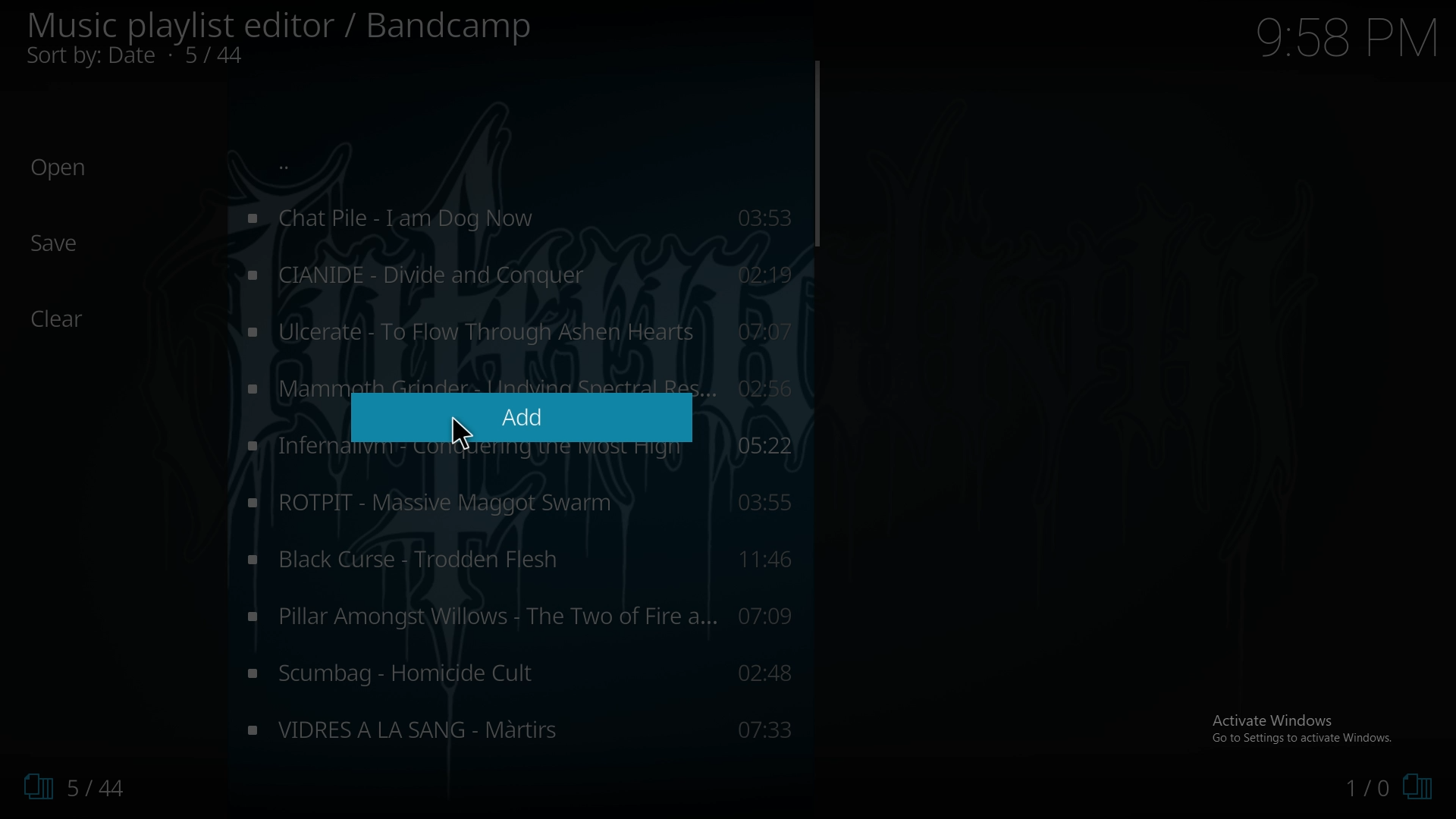 The image size is (1456, 819). What do you see at coordinates (66, 319) in the screenshot?
I see `Clear` at bounding box center [66, 319].